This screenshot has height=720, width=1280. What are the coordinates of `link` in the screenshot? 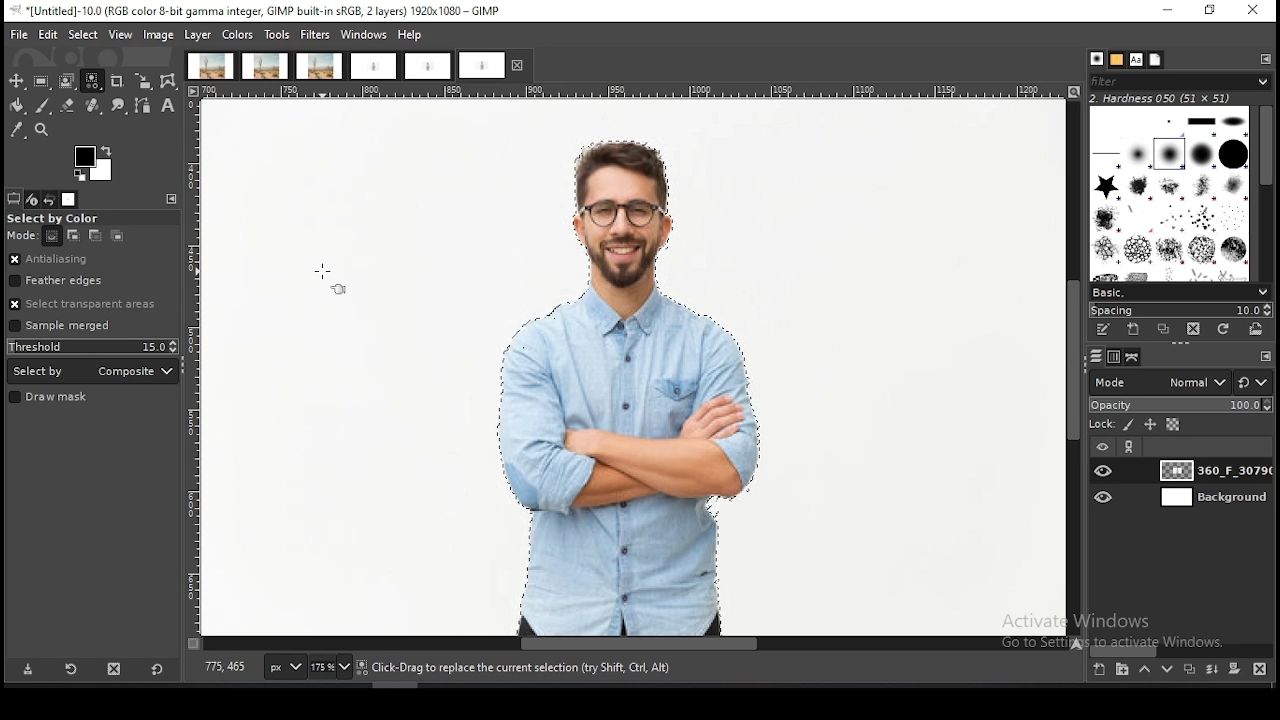 It's located at (1130, 447).